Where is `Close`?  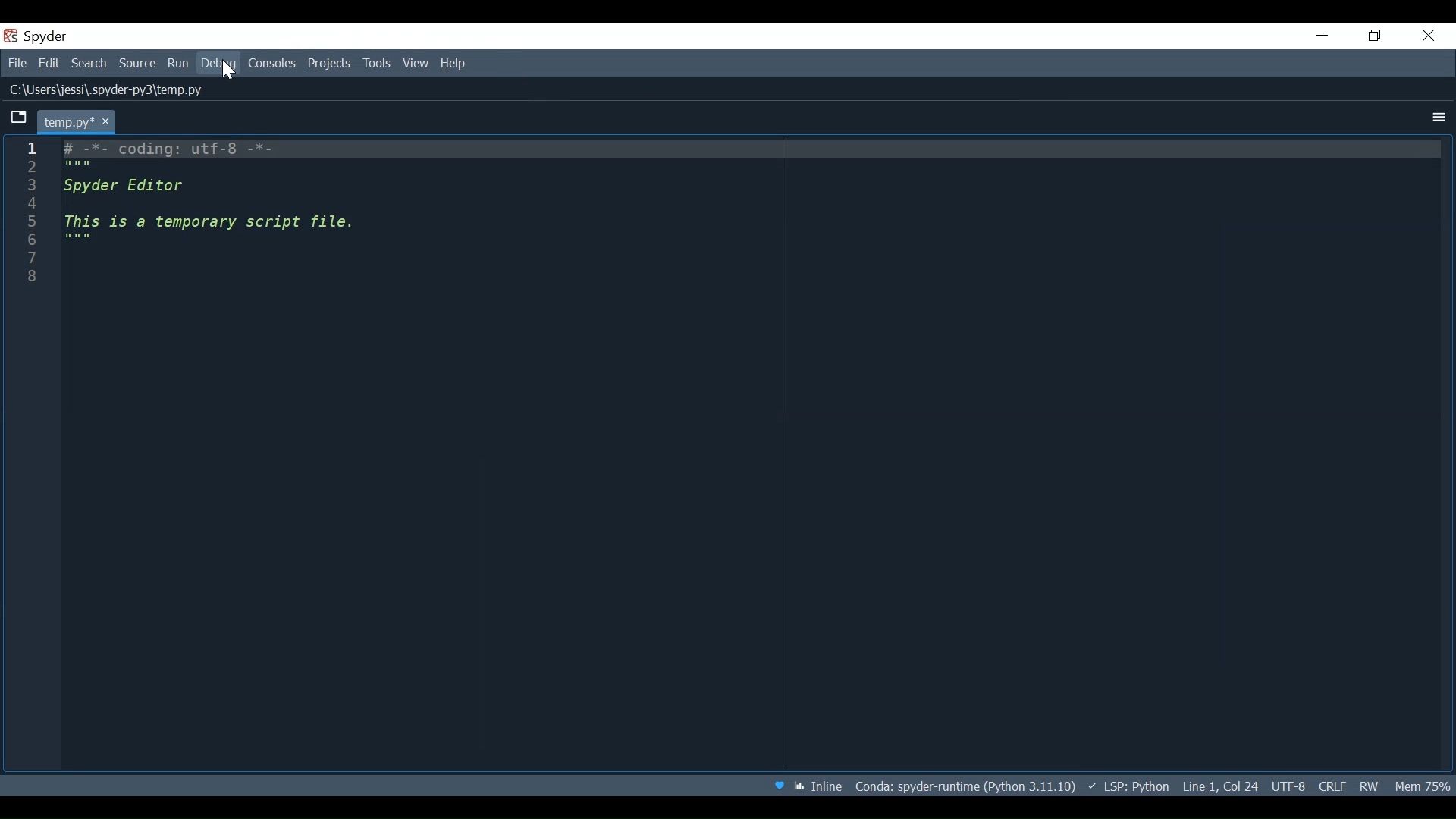 Close is located at coordinates (1428, 35).